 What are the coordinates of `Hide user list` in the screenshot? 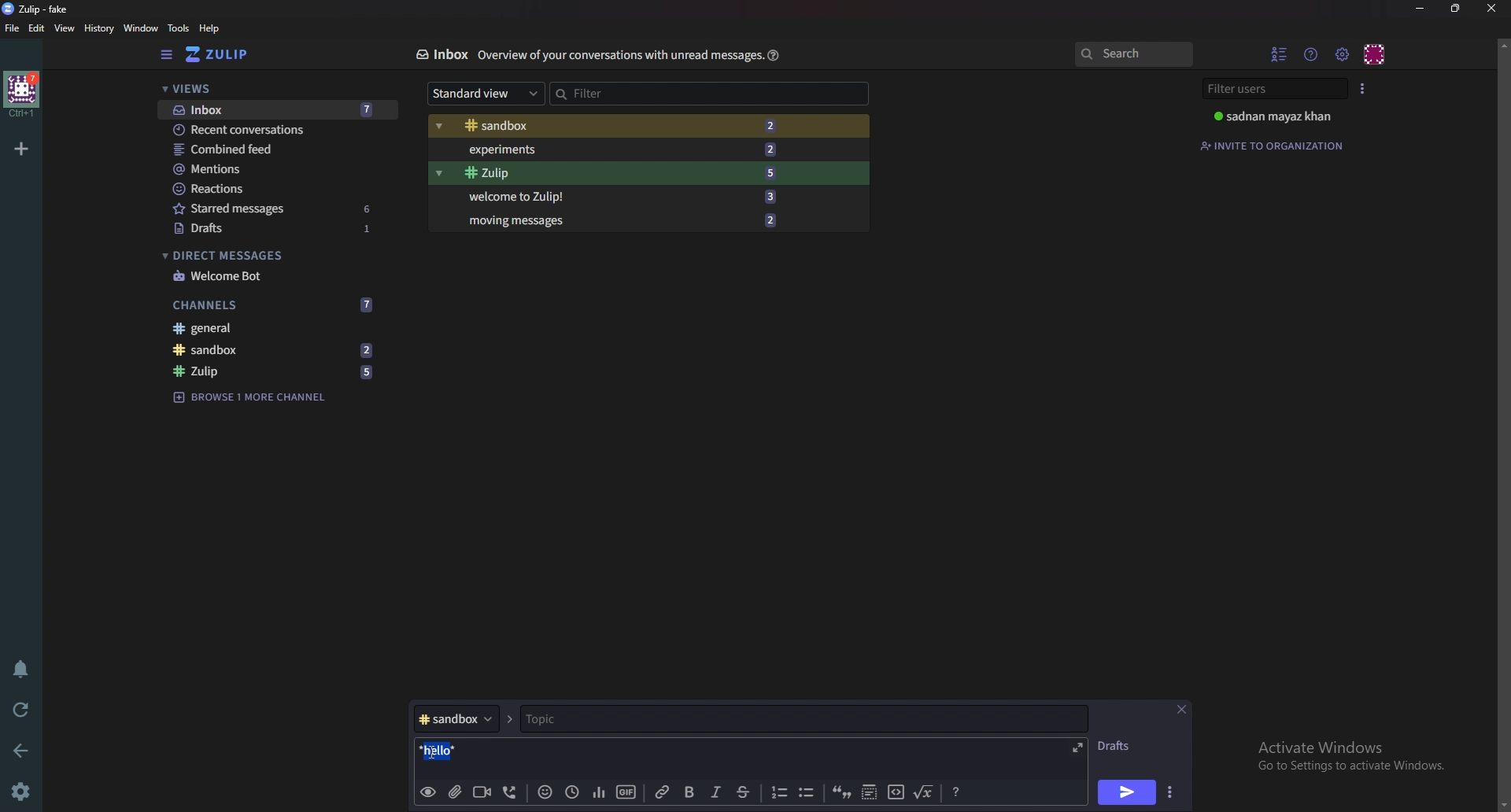 It's located at (1278, 52).